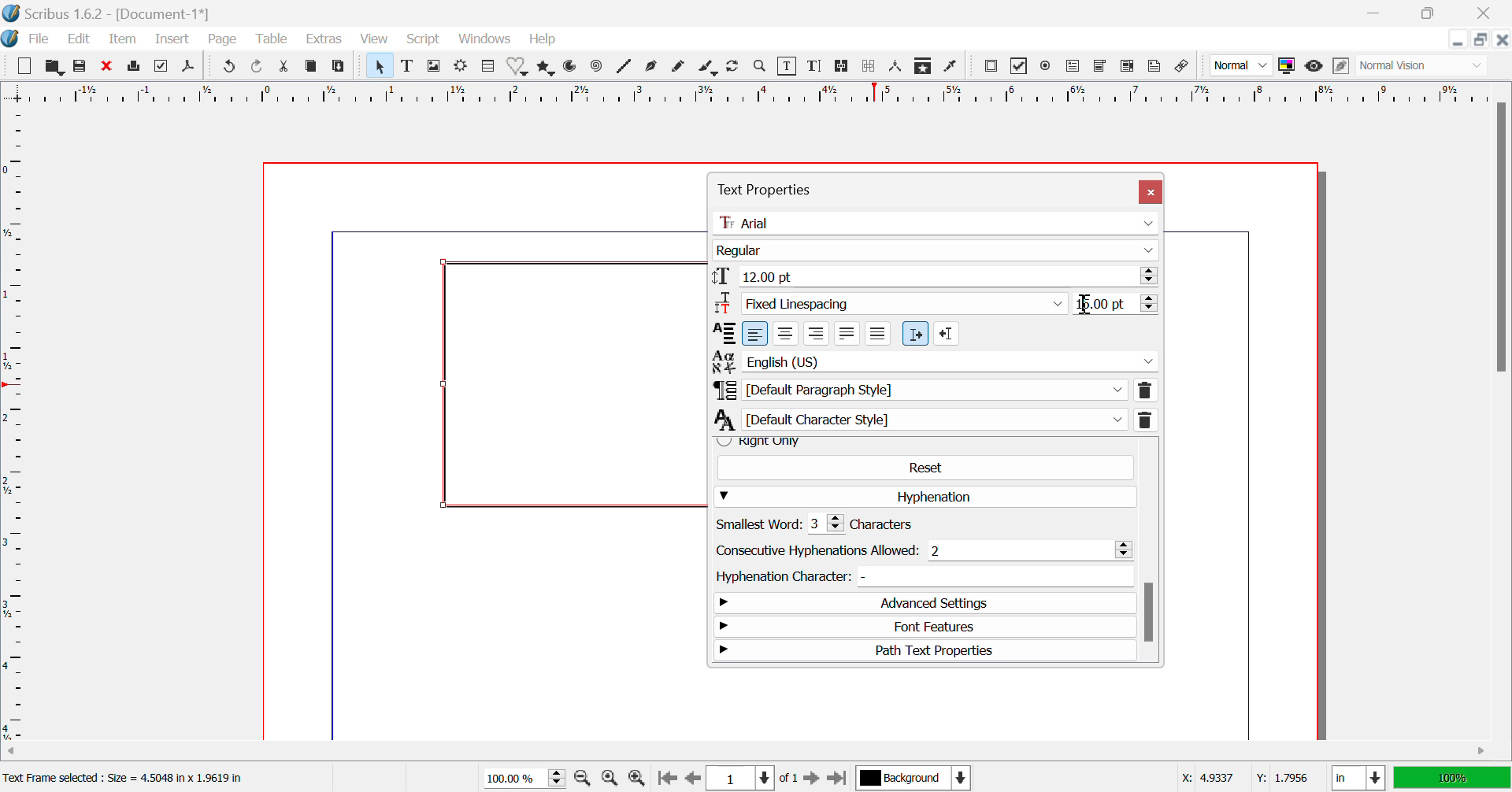  What do you see at coordinates (134, 68) in the screenshot?
I see `Print` at bounding box center [134, 68].